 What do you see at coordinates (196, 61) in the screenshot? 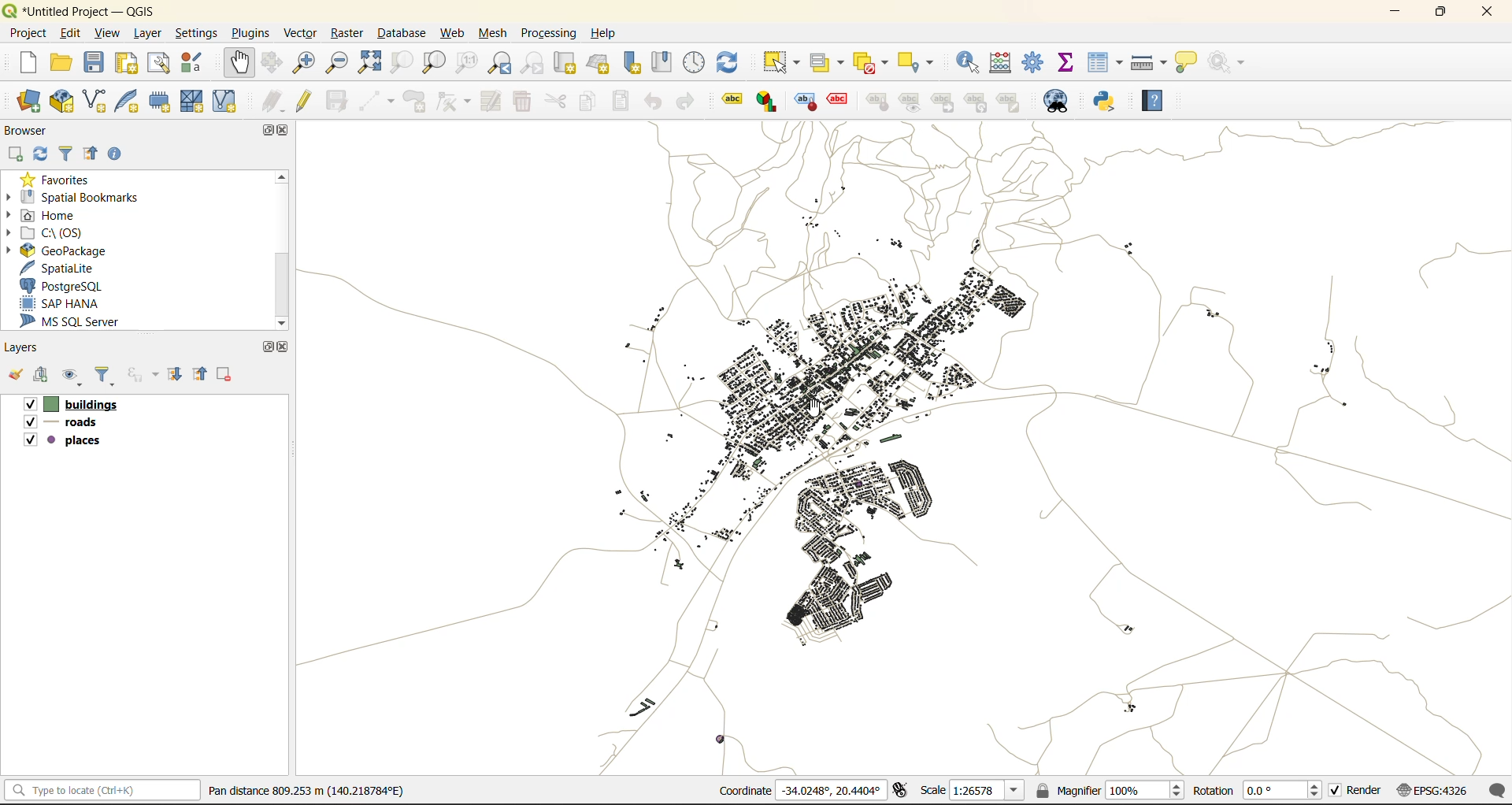
I see `style manager` at bounding box center [196, 61].